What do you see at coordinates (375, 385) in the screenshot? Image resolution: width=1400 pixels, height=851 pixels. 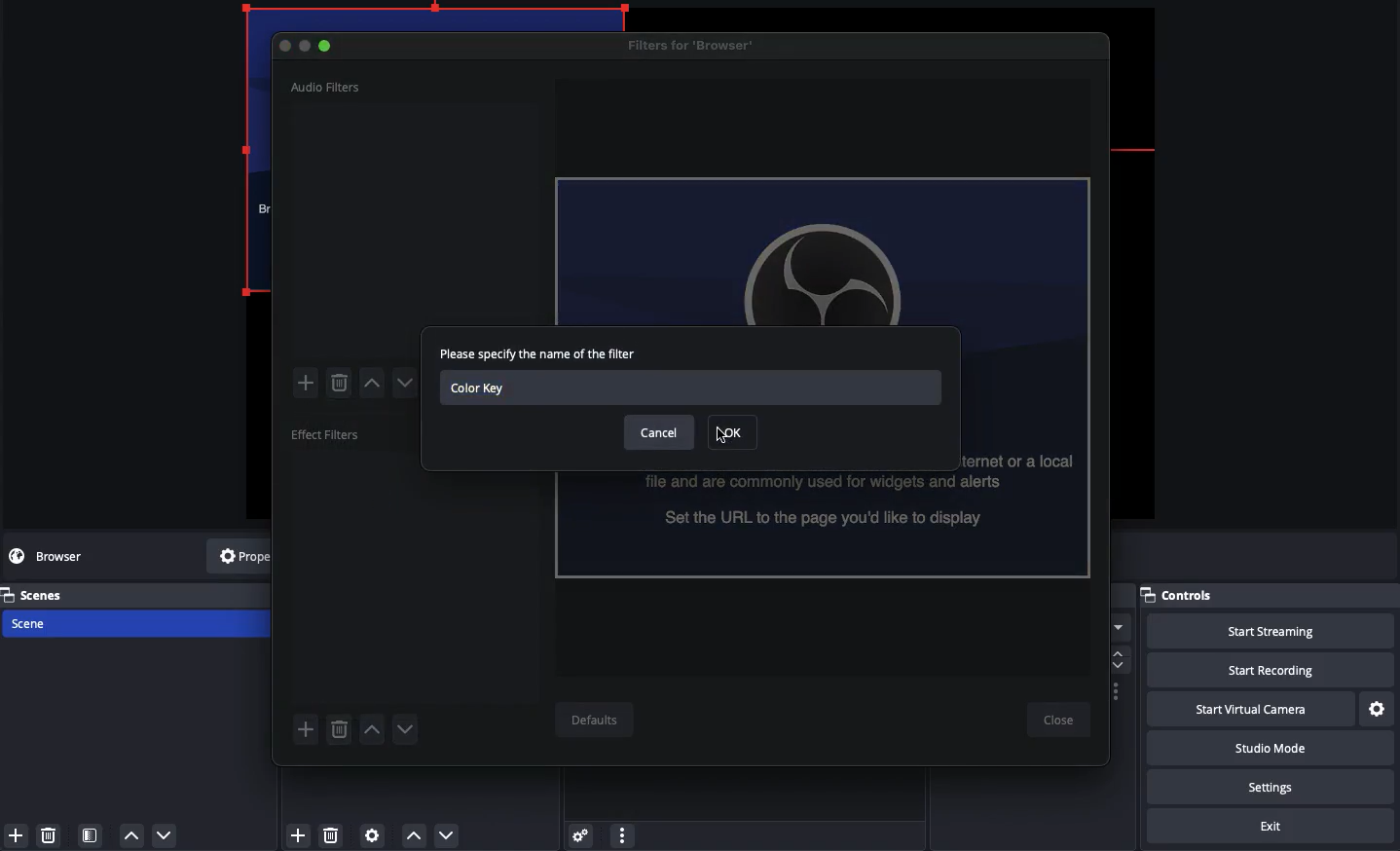 I see `up` at bounding box center [375, 385].